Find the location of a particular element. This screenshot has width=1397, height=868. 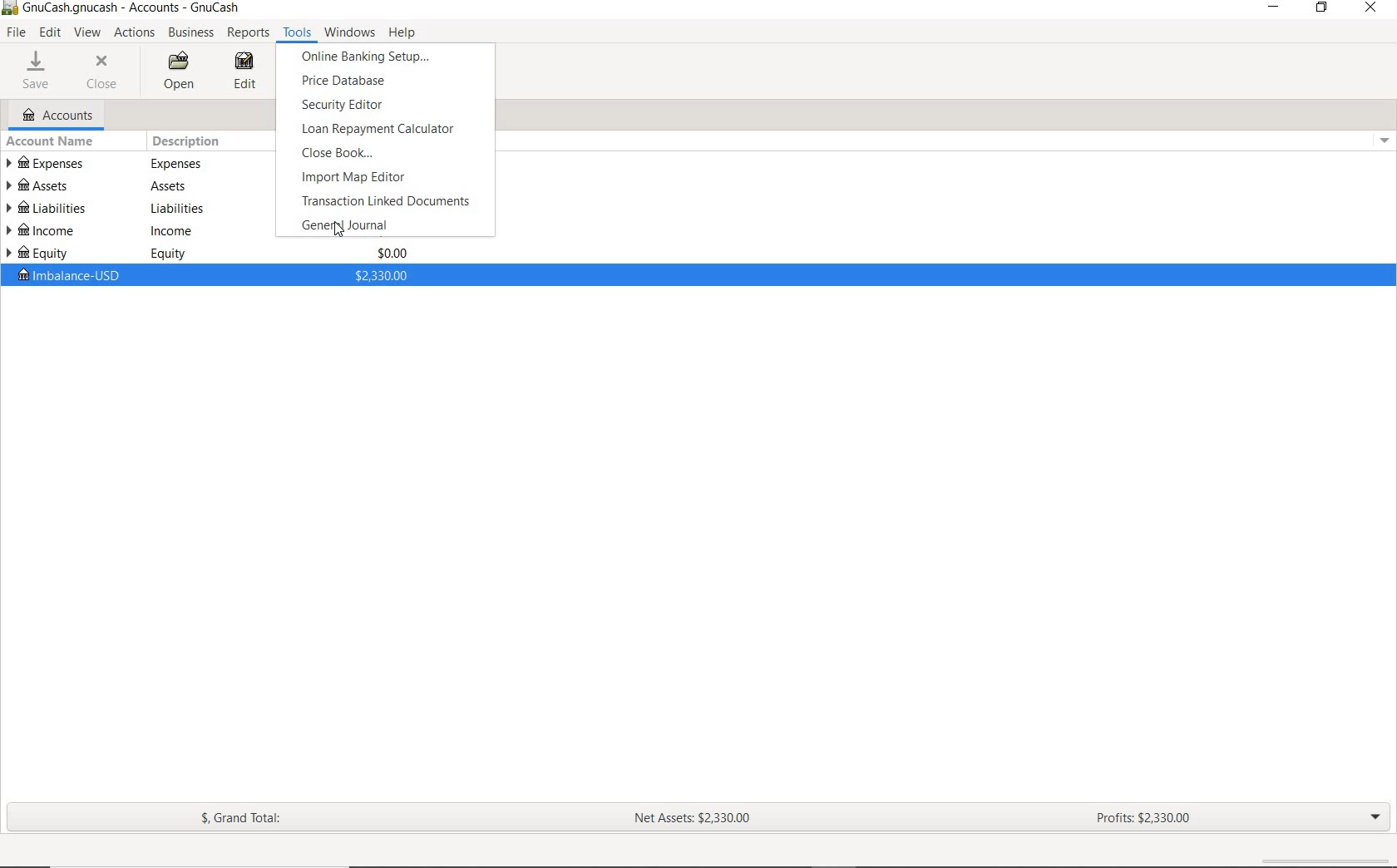

ACTIONS is located at coordinates (135, 33).